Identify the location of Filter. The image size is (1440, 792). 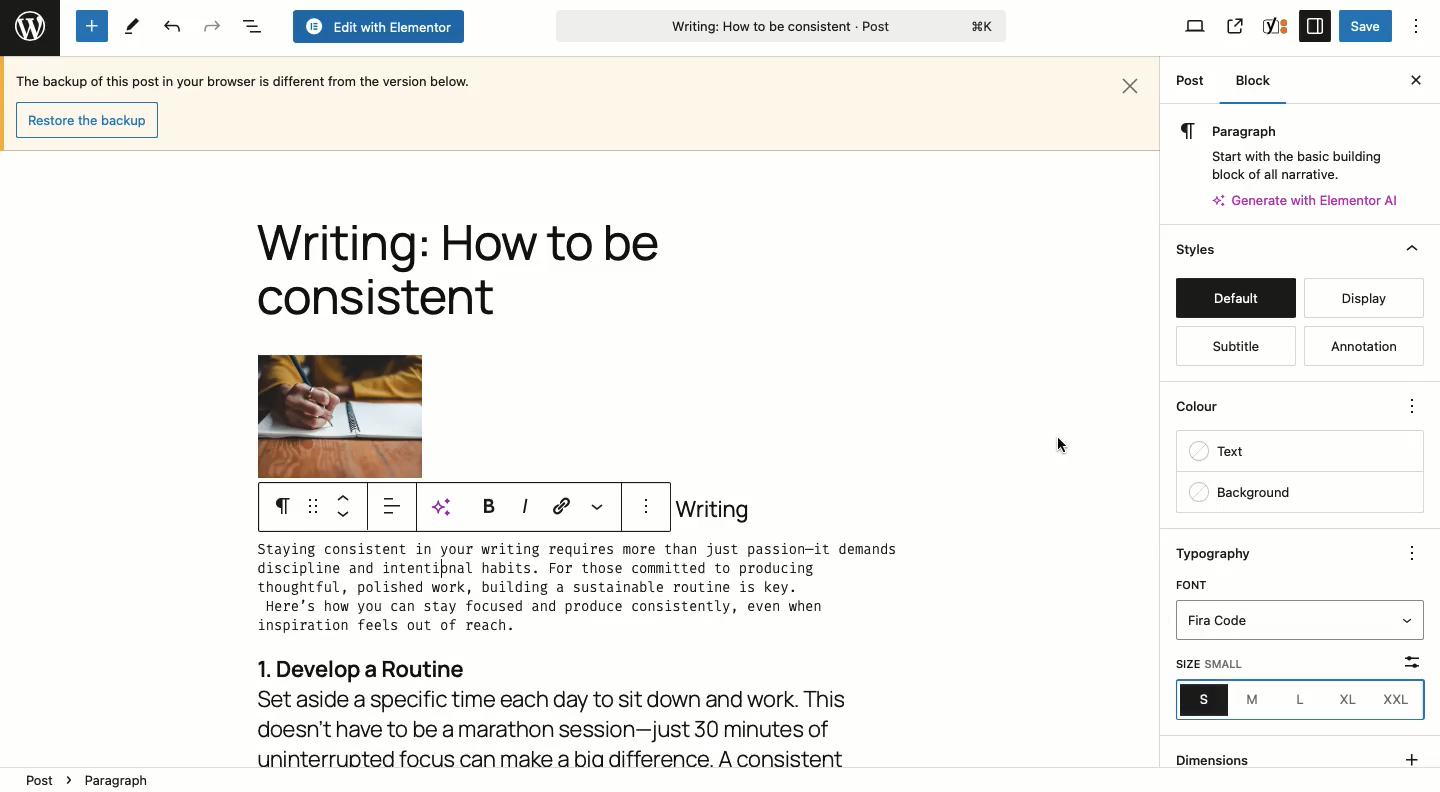
(1398, 660).